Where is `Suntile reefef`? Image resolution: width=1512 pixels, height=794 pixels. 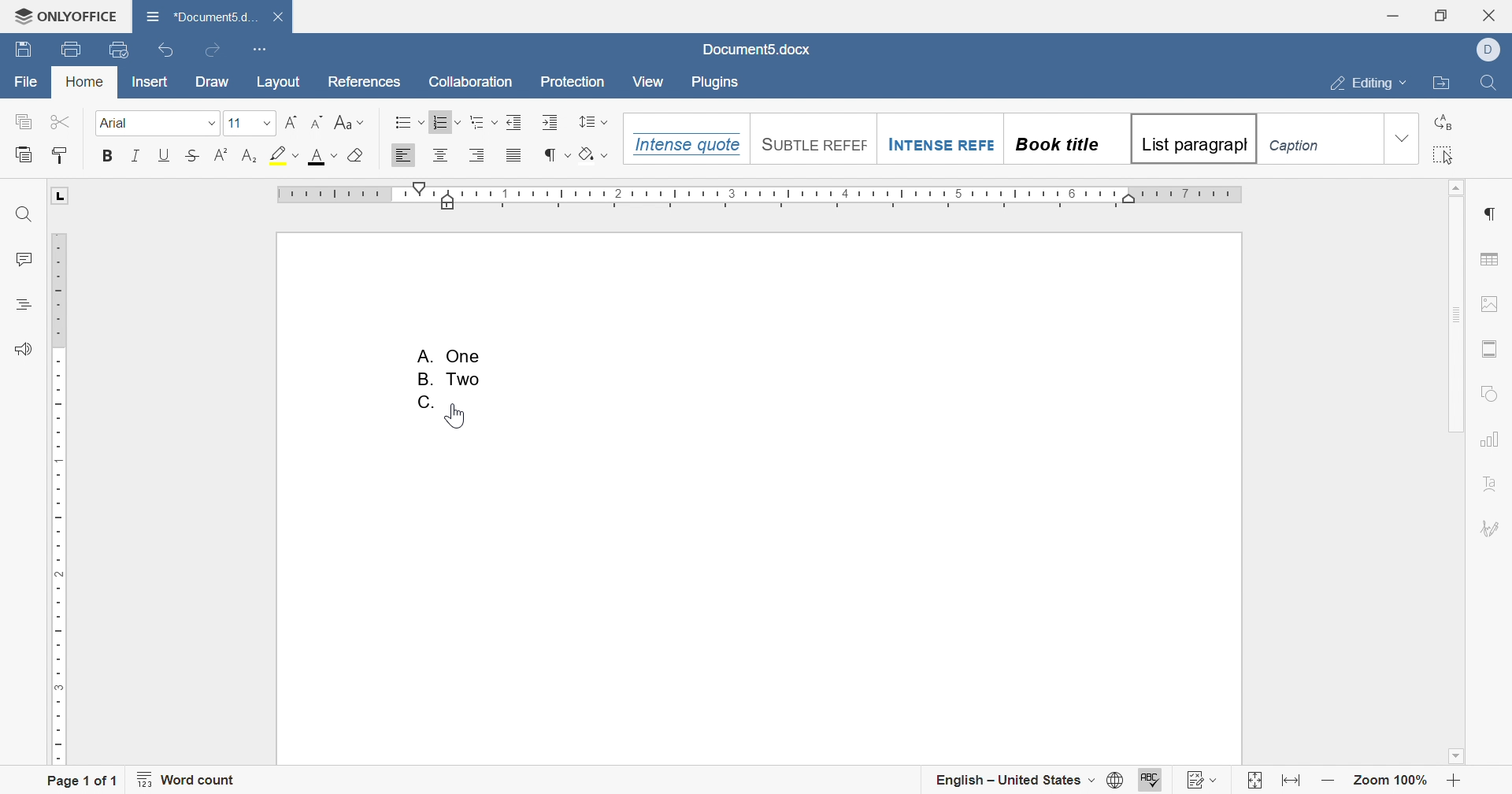 Suntile reefef is located at coordinates (811, 143).